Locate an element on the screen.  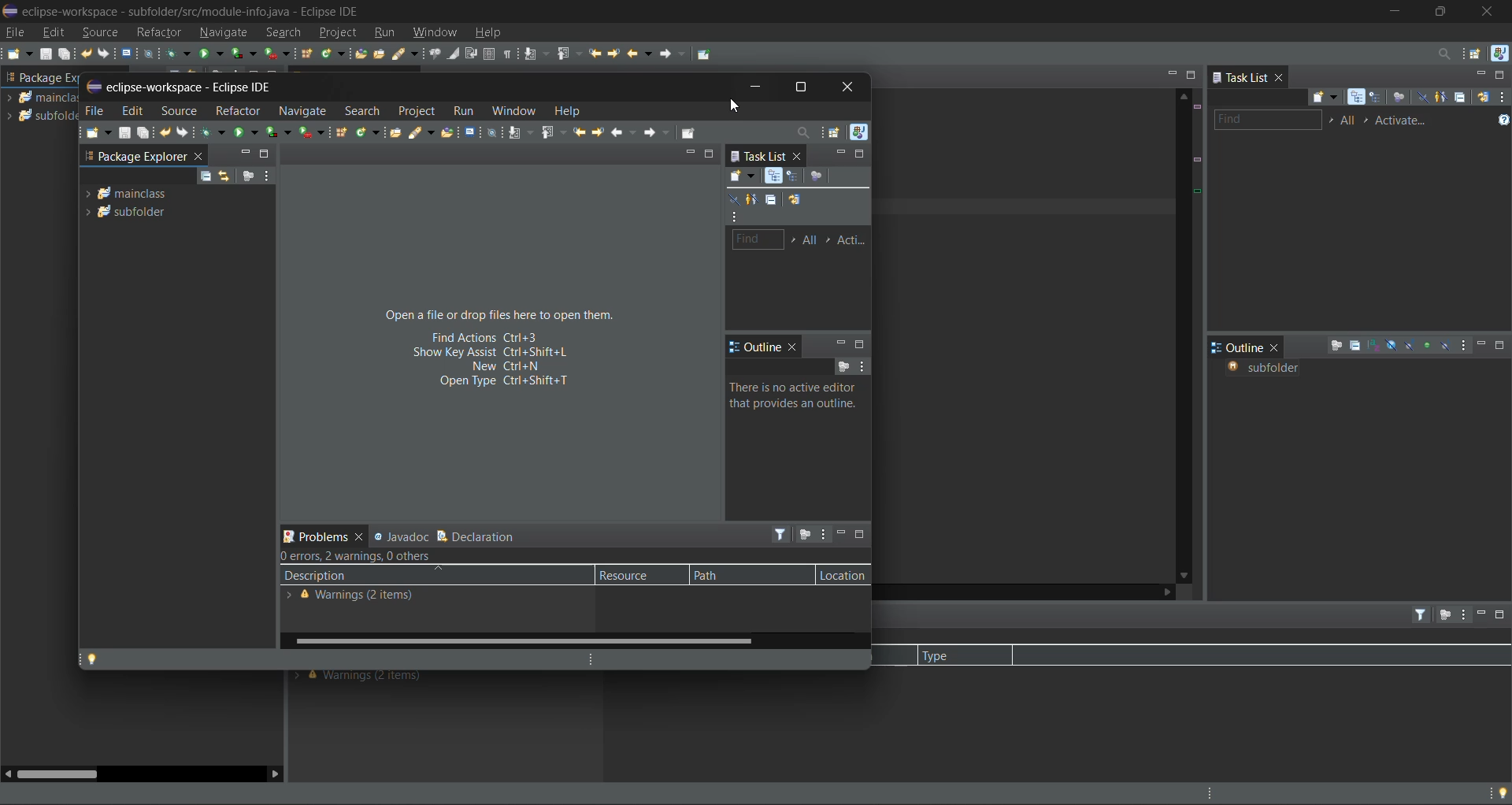
debug is located at coordinates (214, 132).